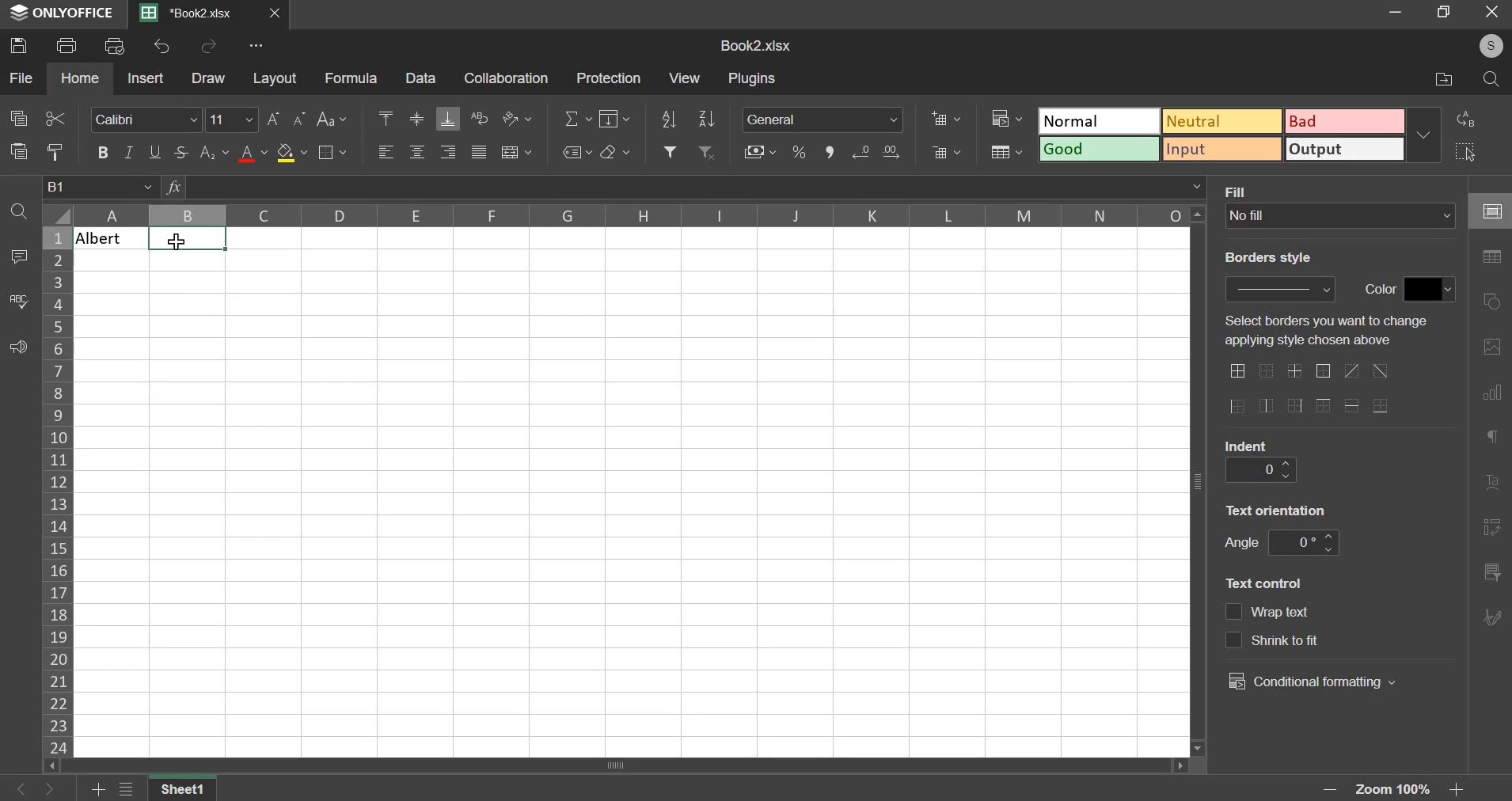  What do you see at coordinates (388, 116) in the screenshot?
I see `align top` at bounding box center [388, 116].